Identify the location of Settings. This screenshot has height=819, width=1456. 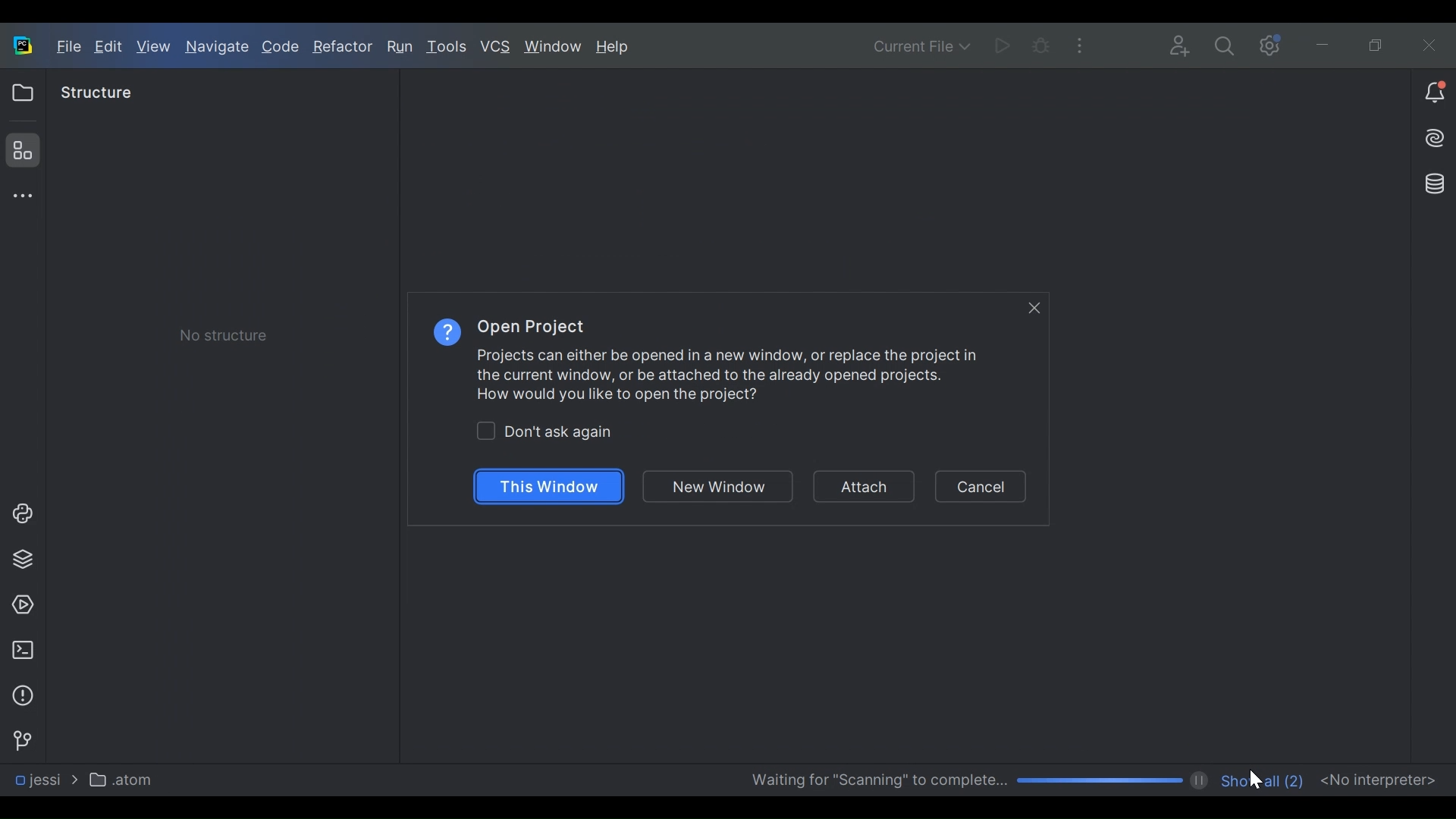
(1270, 47).